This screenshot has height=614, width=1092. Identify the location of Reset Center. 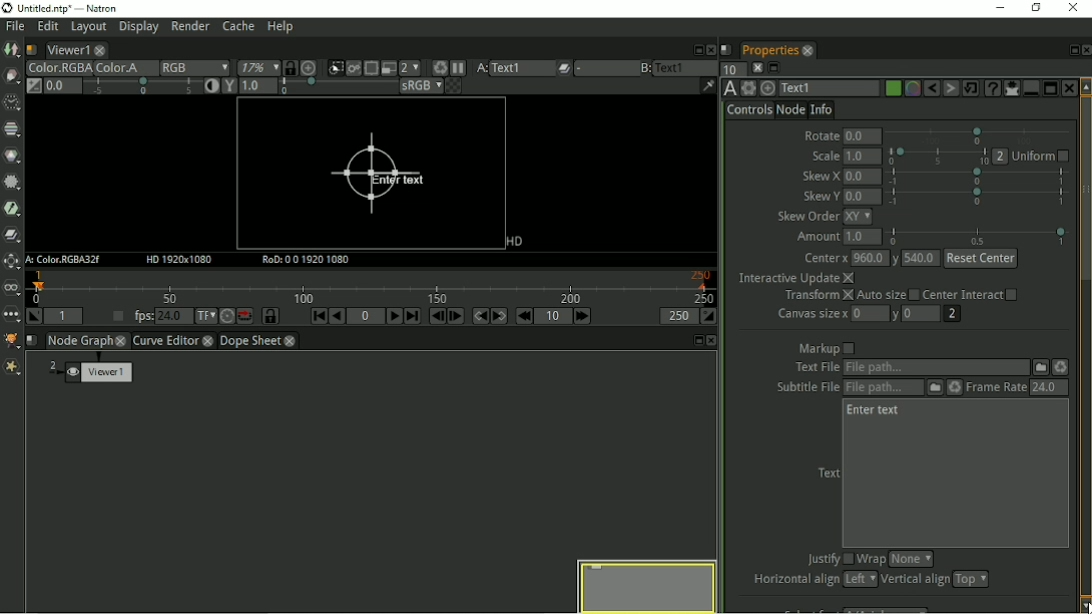
(981, 259).